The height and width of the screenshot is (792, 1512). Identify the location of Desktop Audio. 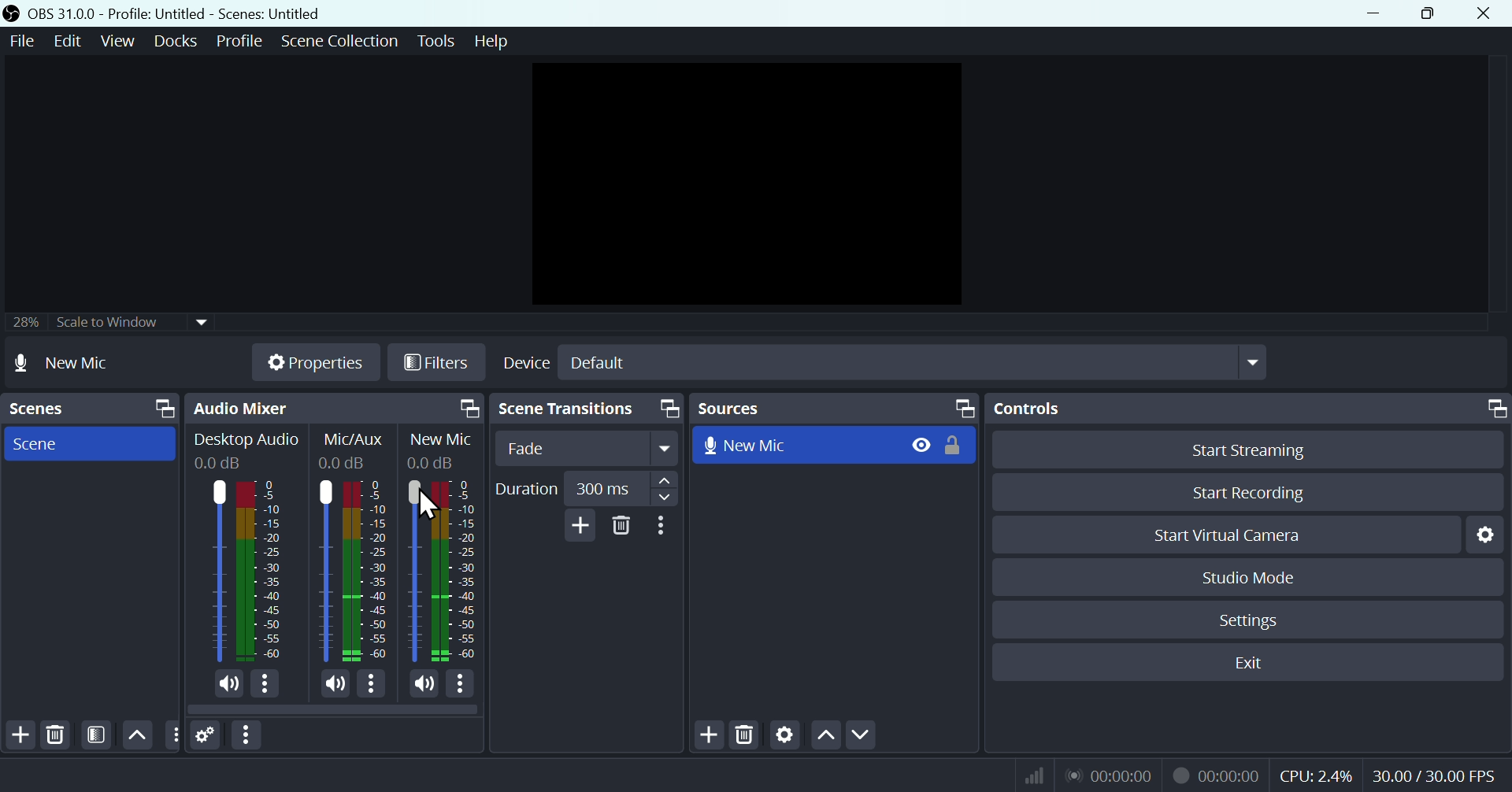
(215, 571).